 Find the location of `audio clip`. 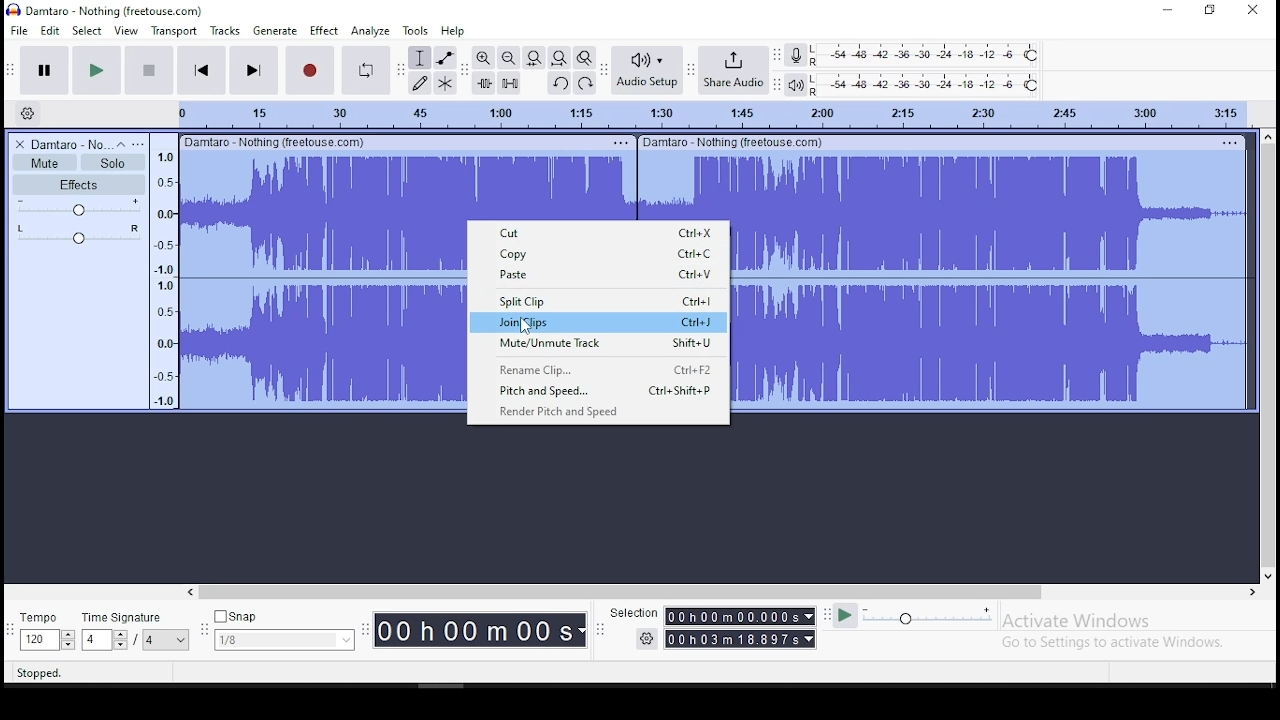

audio clip is located at coordinates (322, 278).